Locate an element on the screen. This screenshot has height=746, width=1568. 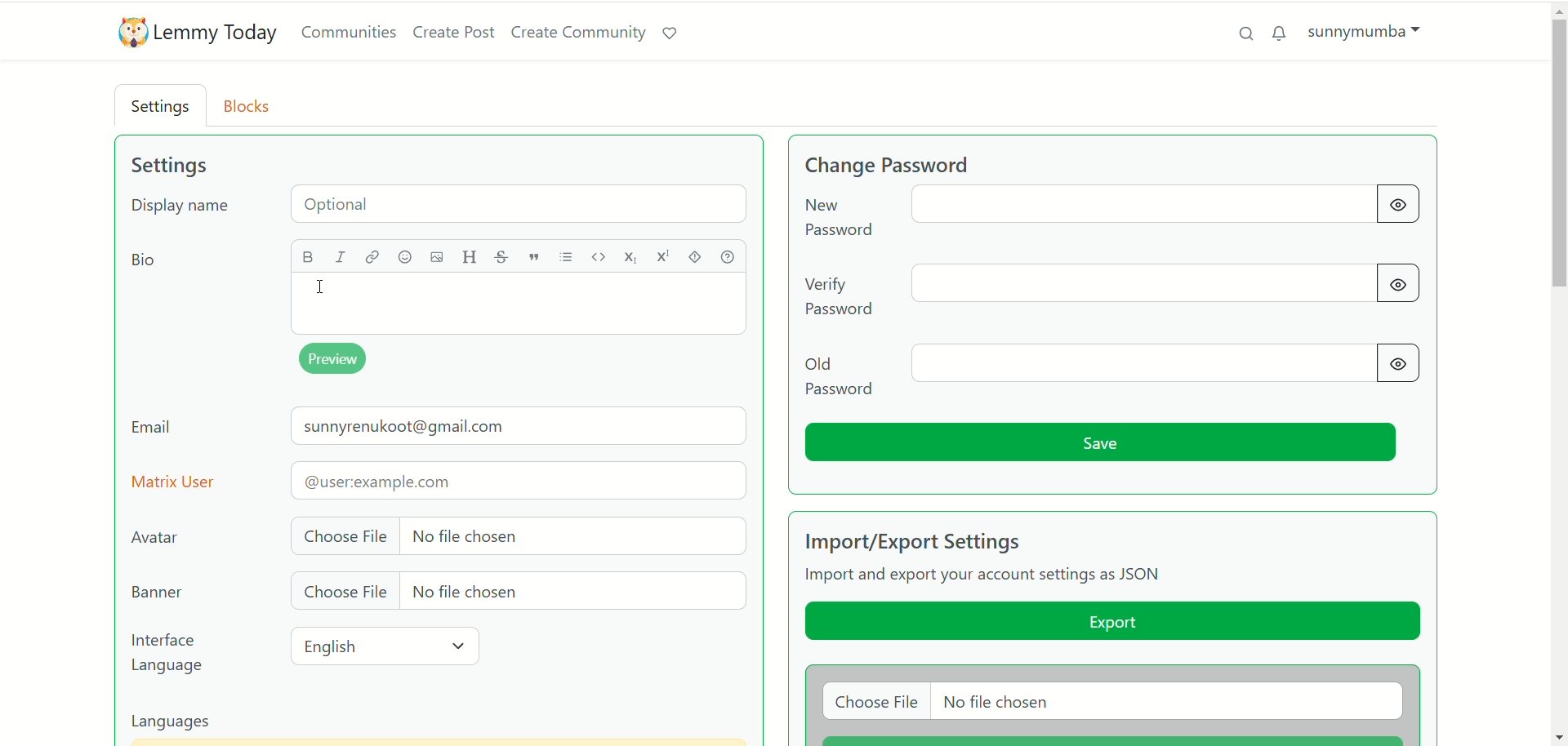
verify password is located at coordinates (1116, 288).